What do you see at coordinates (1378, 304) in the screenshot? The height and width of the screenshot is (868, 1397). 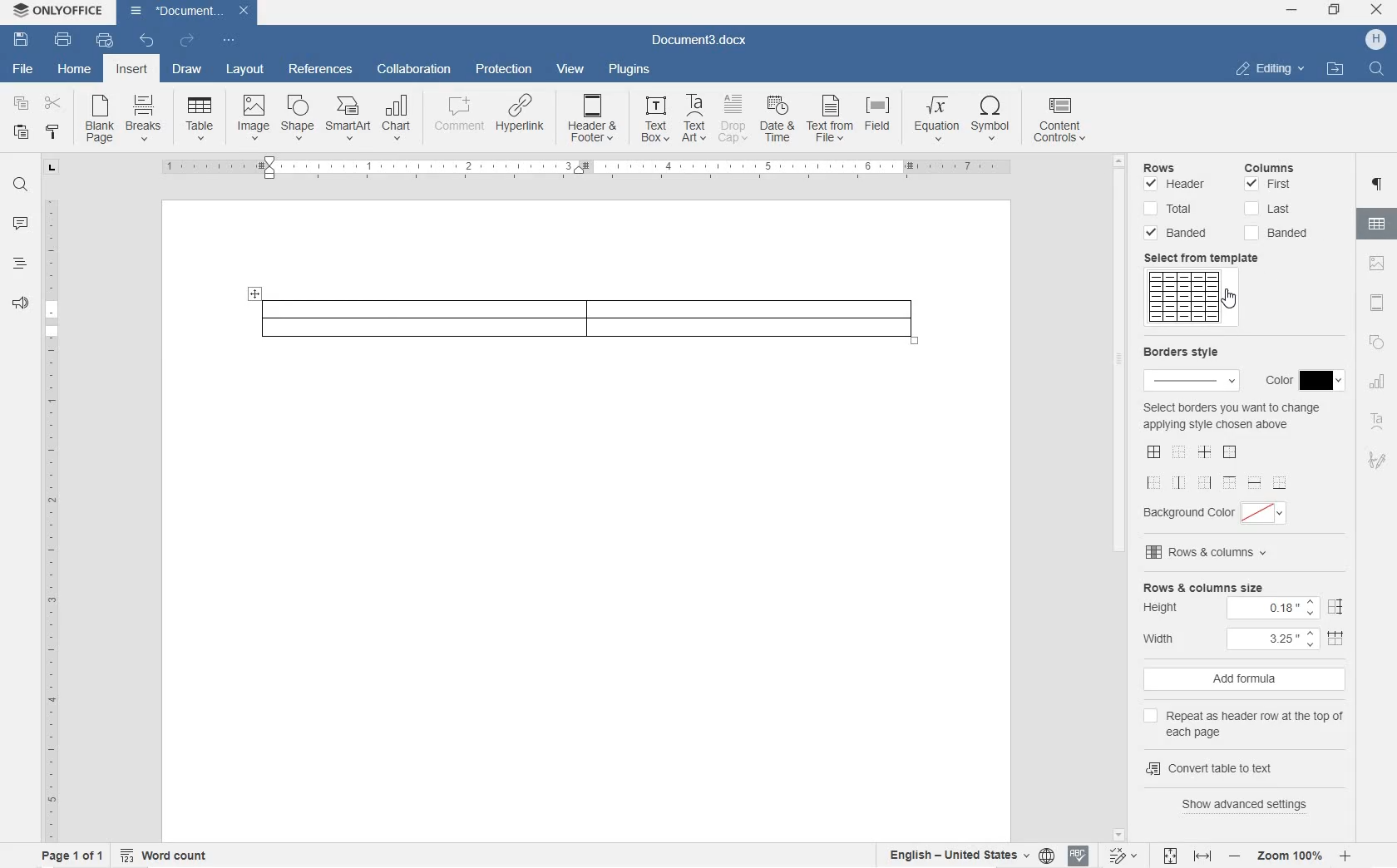 I see `HEADERS & FOOTERS` at bounding box center [1378, 304].